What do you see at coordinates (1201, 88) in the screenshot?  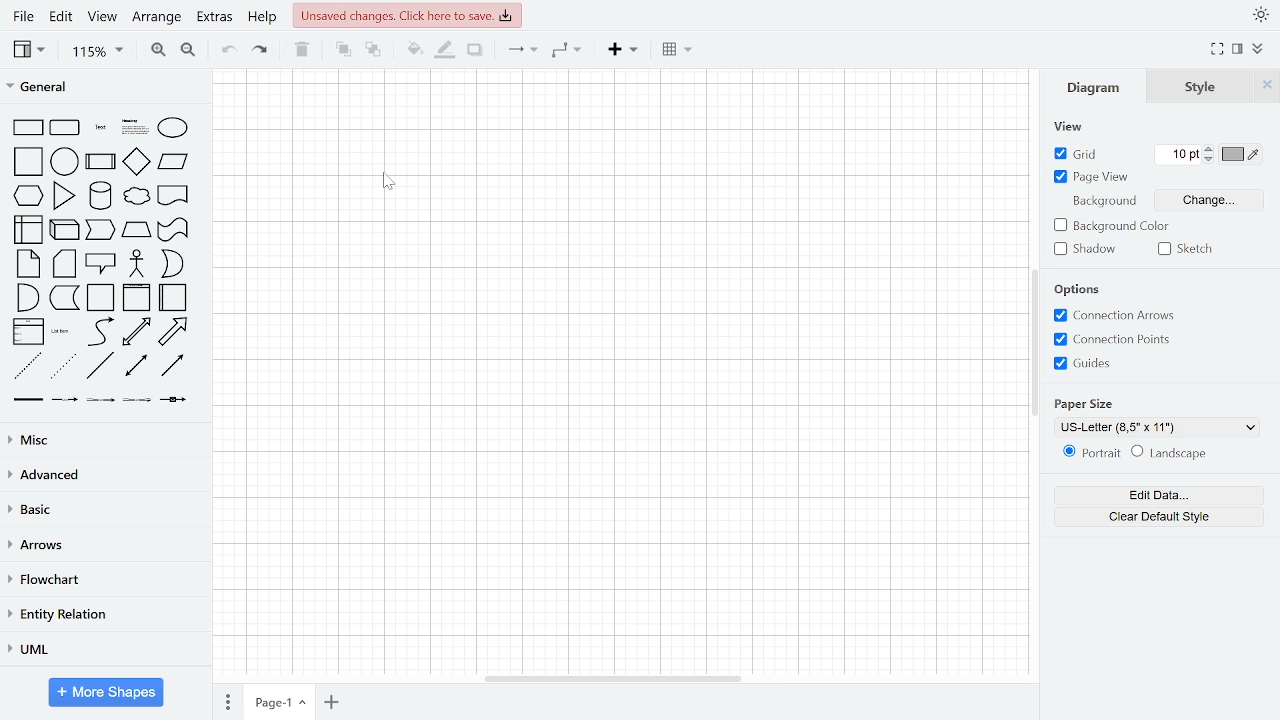 I see `style` at bounding box center [1201, 88].